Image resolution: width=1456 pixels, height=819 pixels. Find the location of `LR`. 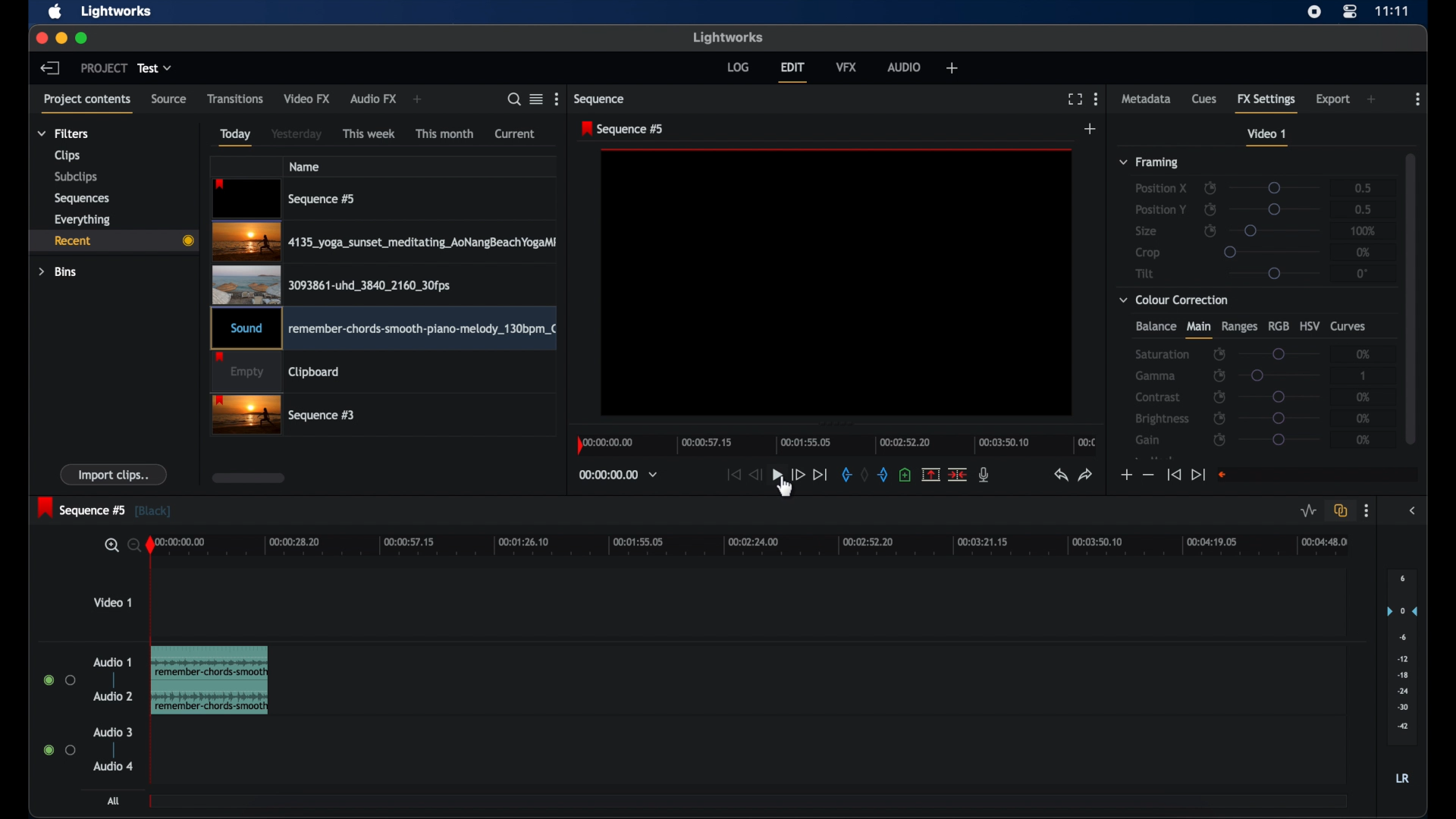

LR is located at coordinates (1402, 778).